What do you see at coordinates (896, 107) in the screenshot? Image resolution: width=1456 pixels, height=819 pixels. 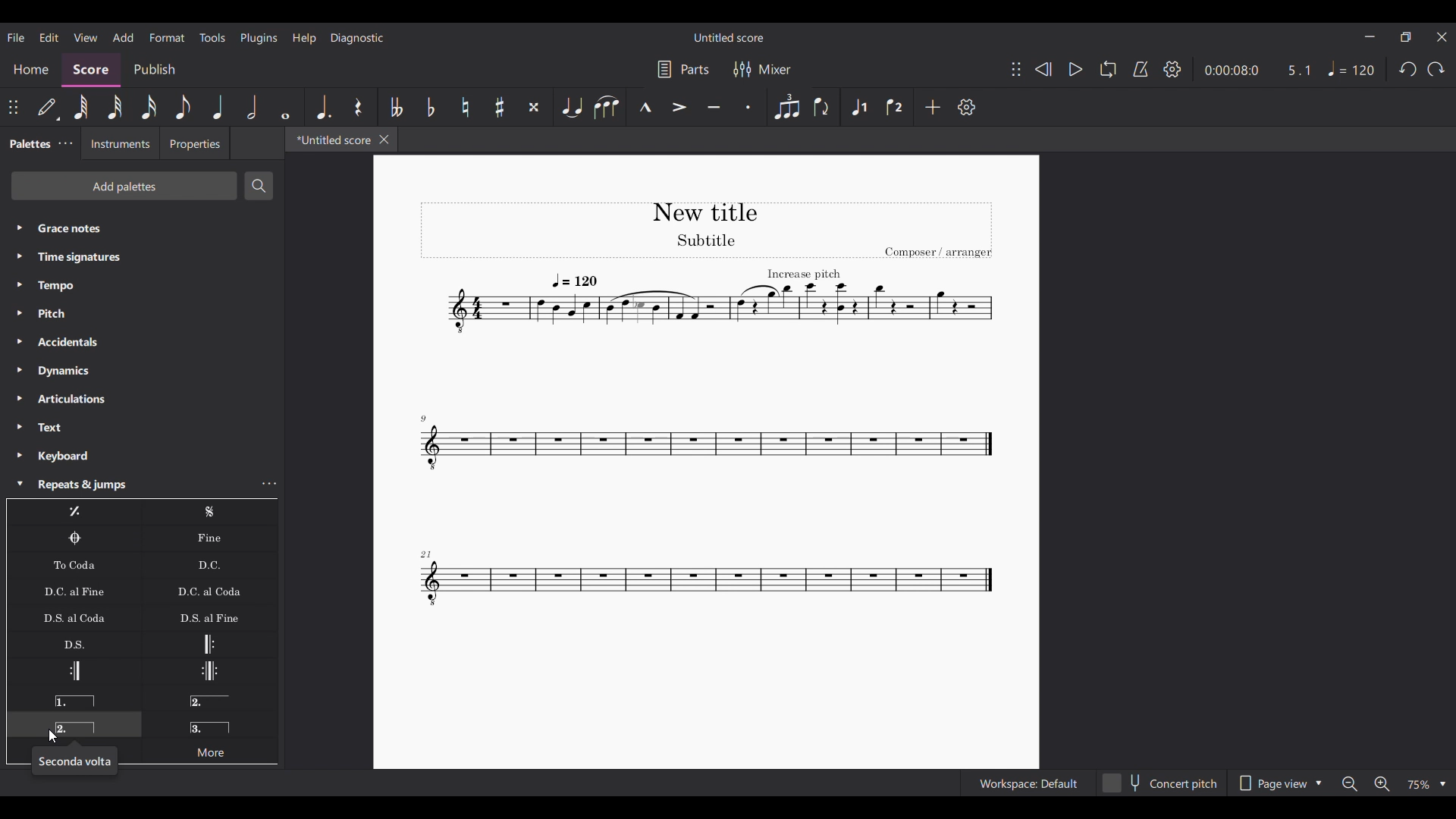 I see `Voice 2` at bounding box center [896, 107].